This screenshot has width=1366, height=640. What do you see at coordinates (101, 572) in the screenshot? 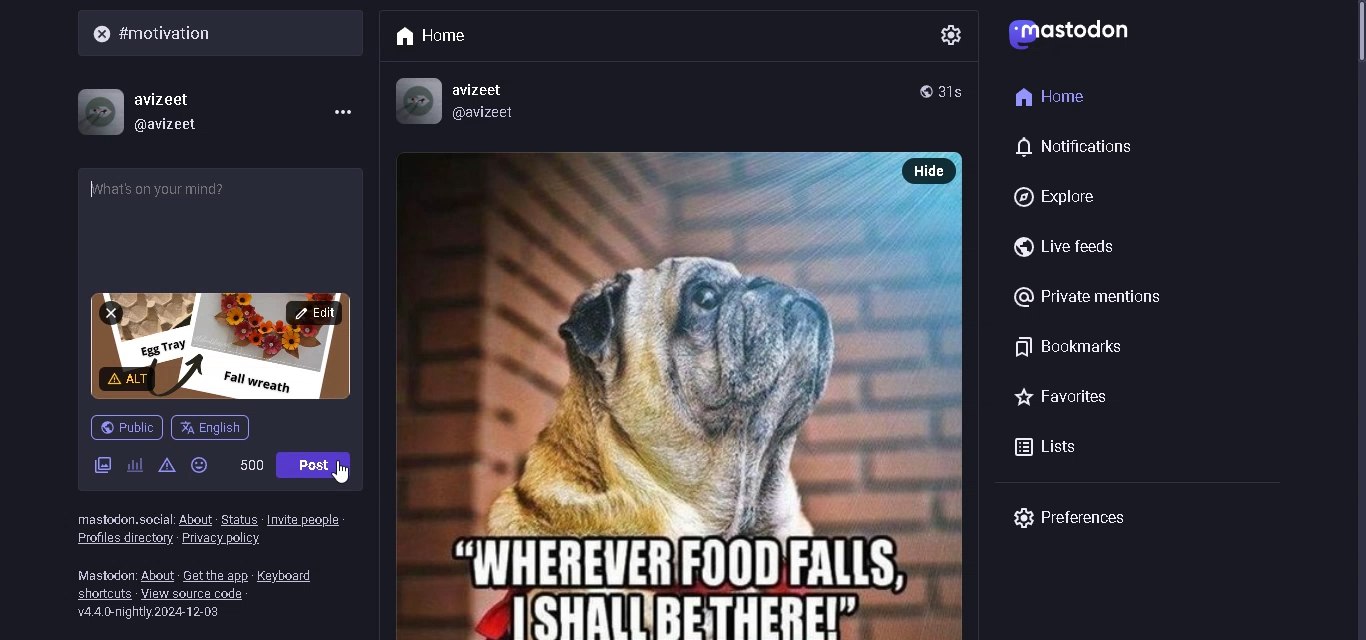
I see `text` at bounding box center [101, 572].